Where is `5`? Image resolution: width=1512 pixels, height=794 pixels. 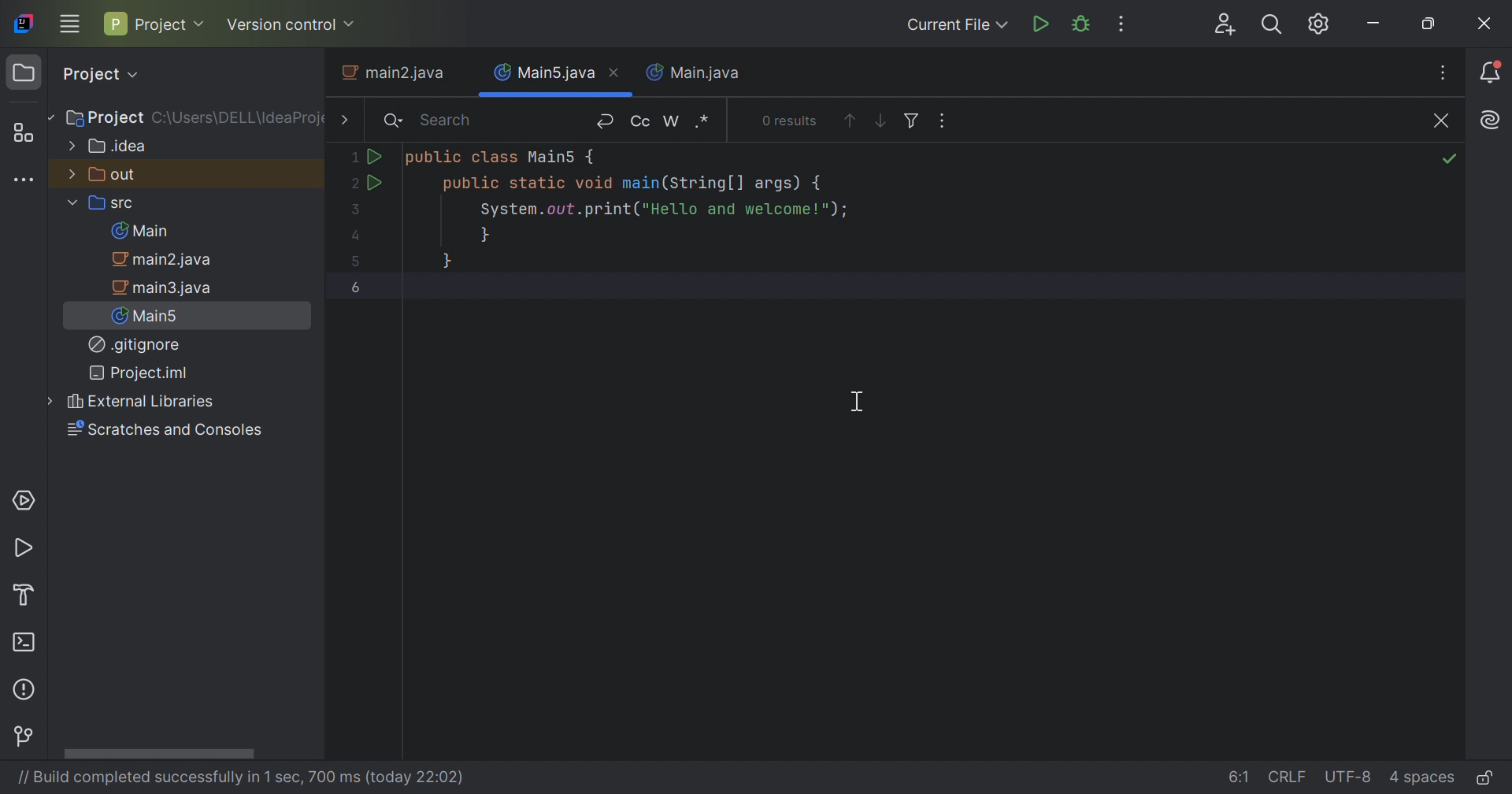 5 is located at coordinates (358, 262).